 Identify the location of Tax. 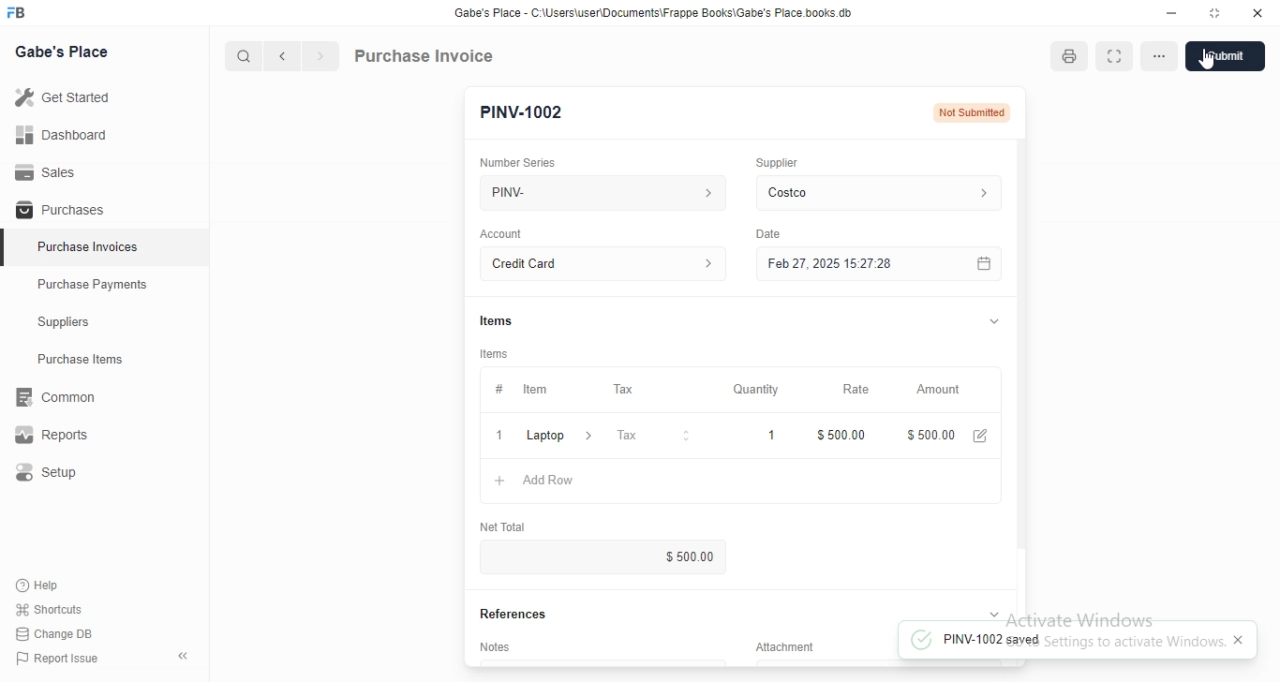
(650, 389).